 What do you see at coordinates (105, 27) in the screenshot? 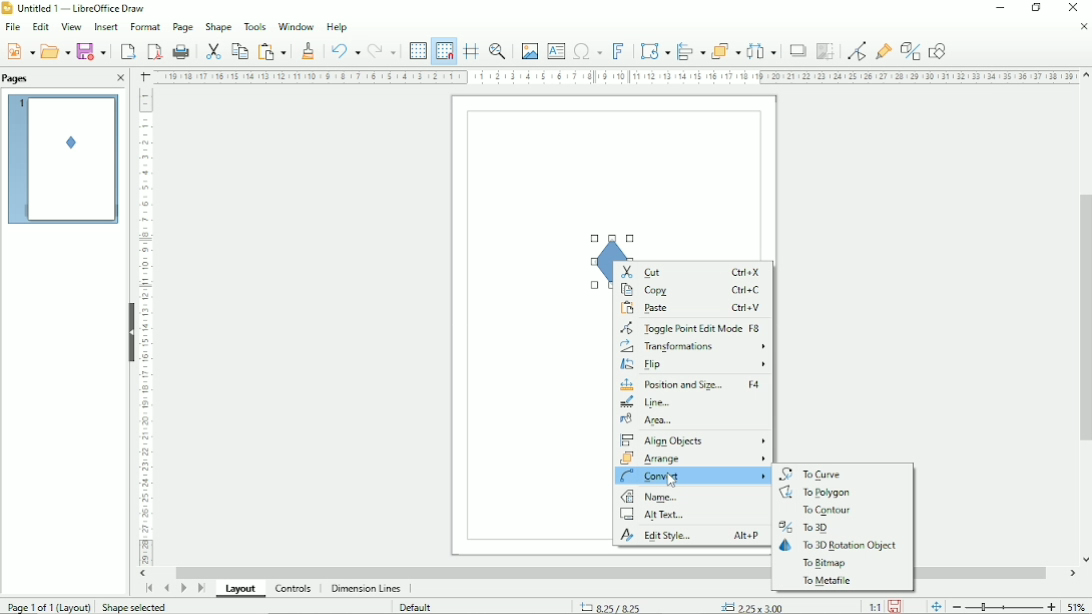
I see `Insert` at bounding box center [105, 27].